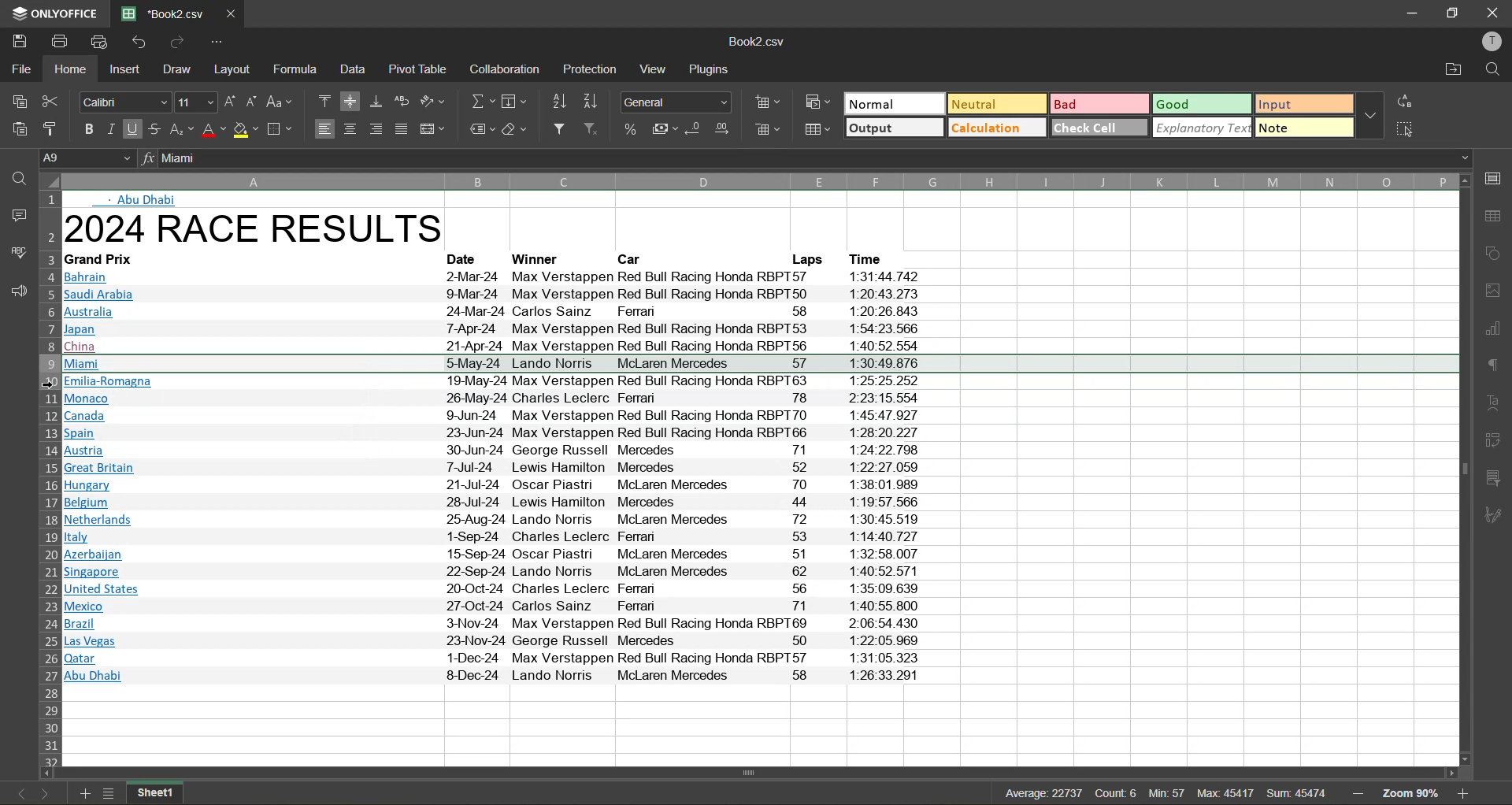 The height and width of the screenshot is (805, 1512). What do you see at coordinates (495, 347) in the screenshot?
I see `China 21-Apr-24 Max Verstappen Red Bull Racing Honda RBPT56 1:40:52 554` at bounding box center [495, 347].